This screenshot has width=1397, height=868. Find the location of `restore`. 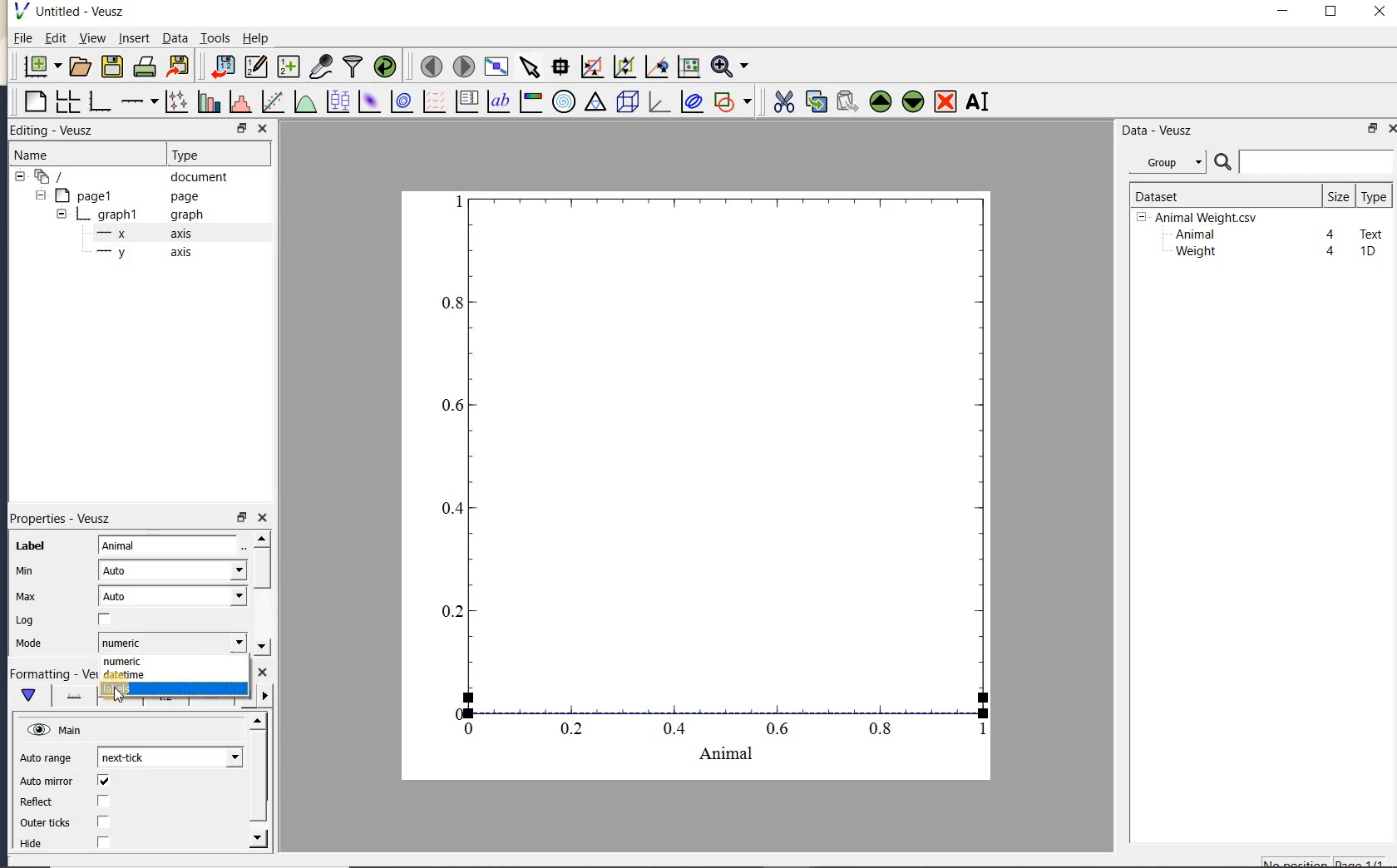

restore is located at coordinates (1374, 128).